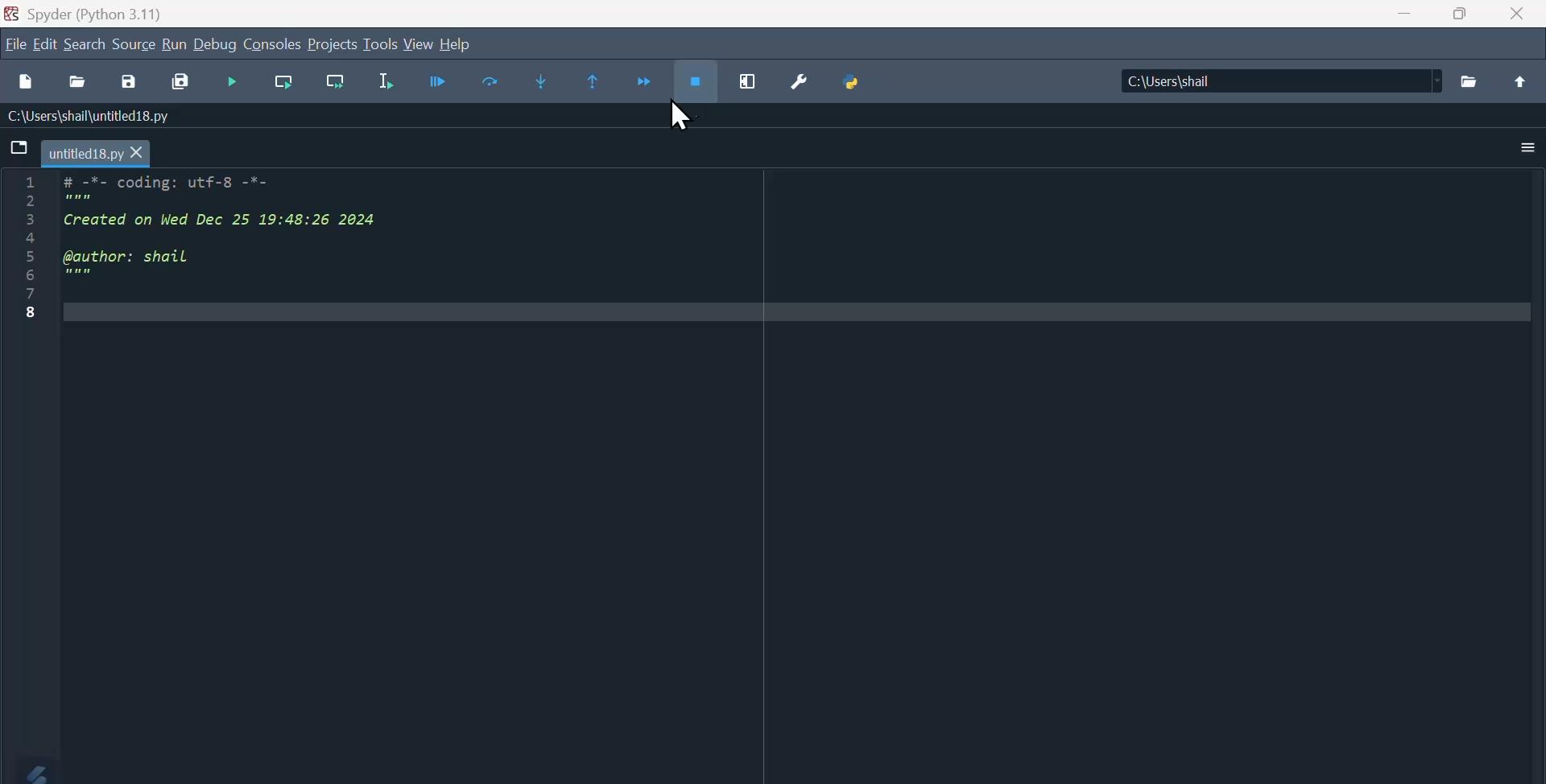 The width and height of the screenshot is (1546, 784). What do you see at coordinates (176, 43) in the screenshot?
I see `Run` at bounding box center [176, 43].